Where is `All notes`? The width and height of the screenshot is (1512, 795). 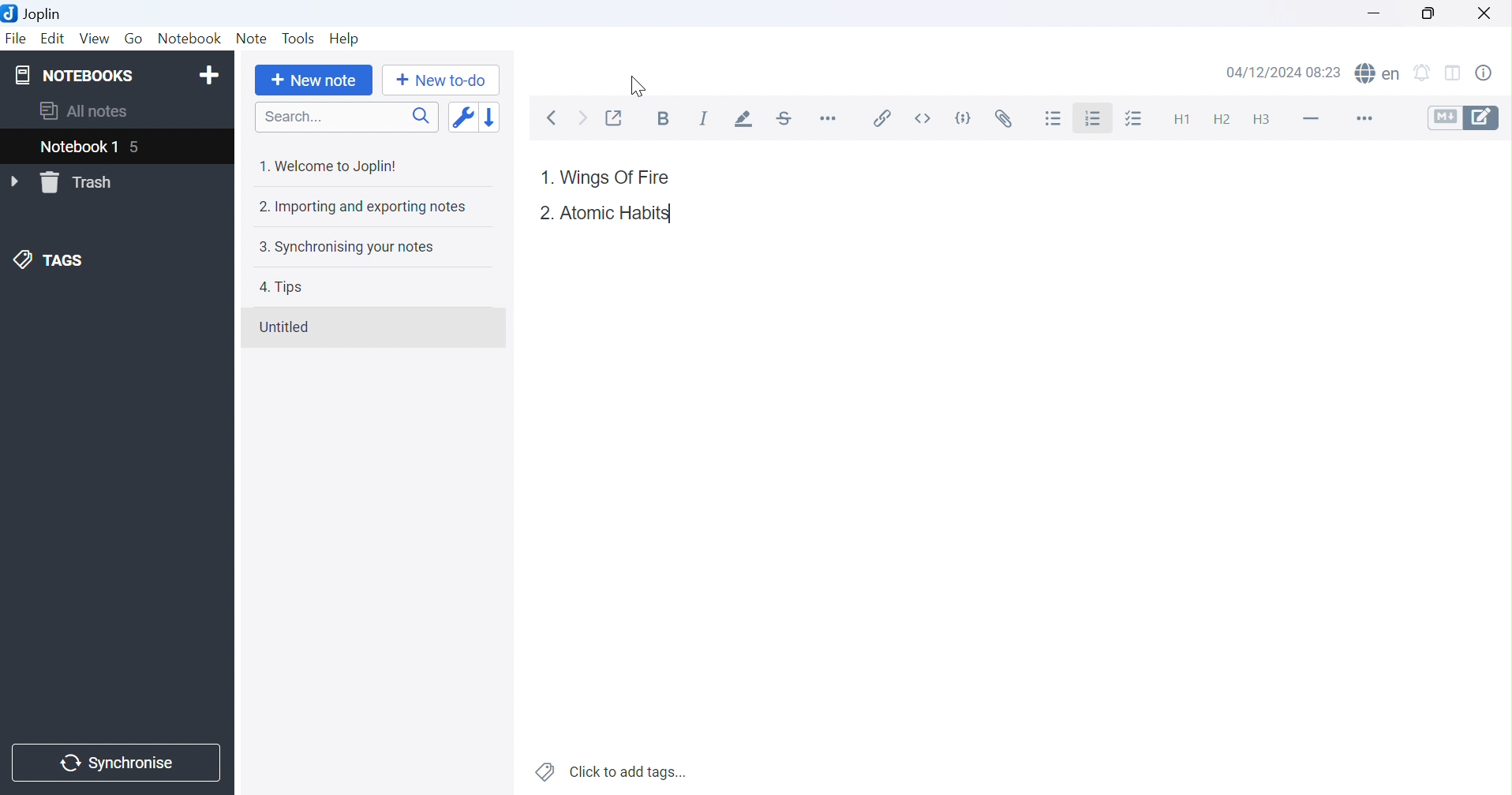
All notes is located at coordinates (82, 113).